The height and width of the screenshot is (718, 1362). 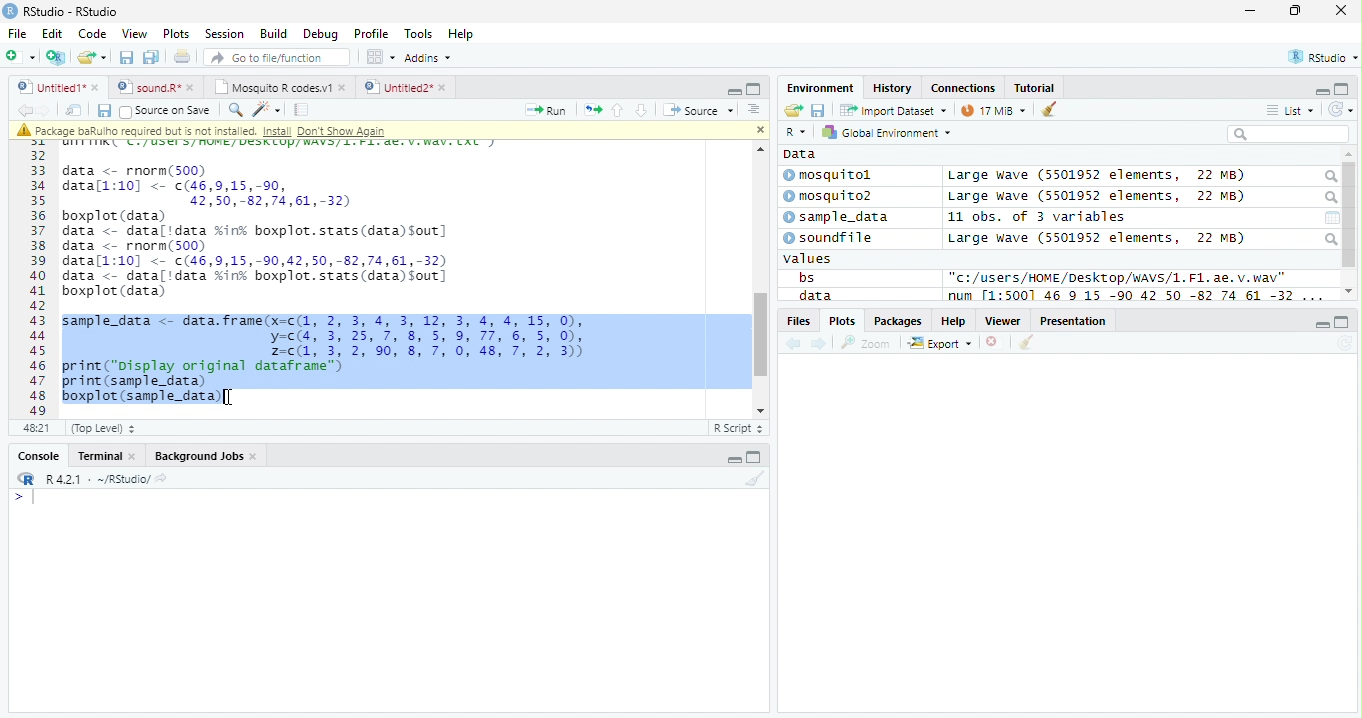 I want to click on num (1:5001 46 9 15 -90 42 50 -82 74 61 -32 ..., so click(x=1138, y=296).